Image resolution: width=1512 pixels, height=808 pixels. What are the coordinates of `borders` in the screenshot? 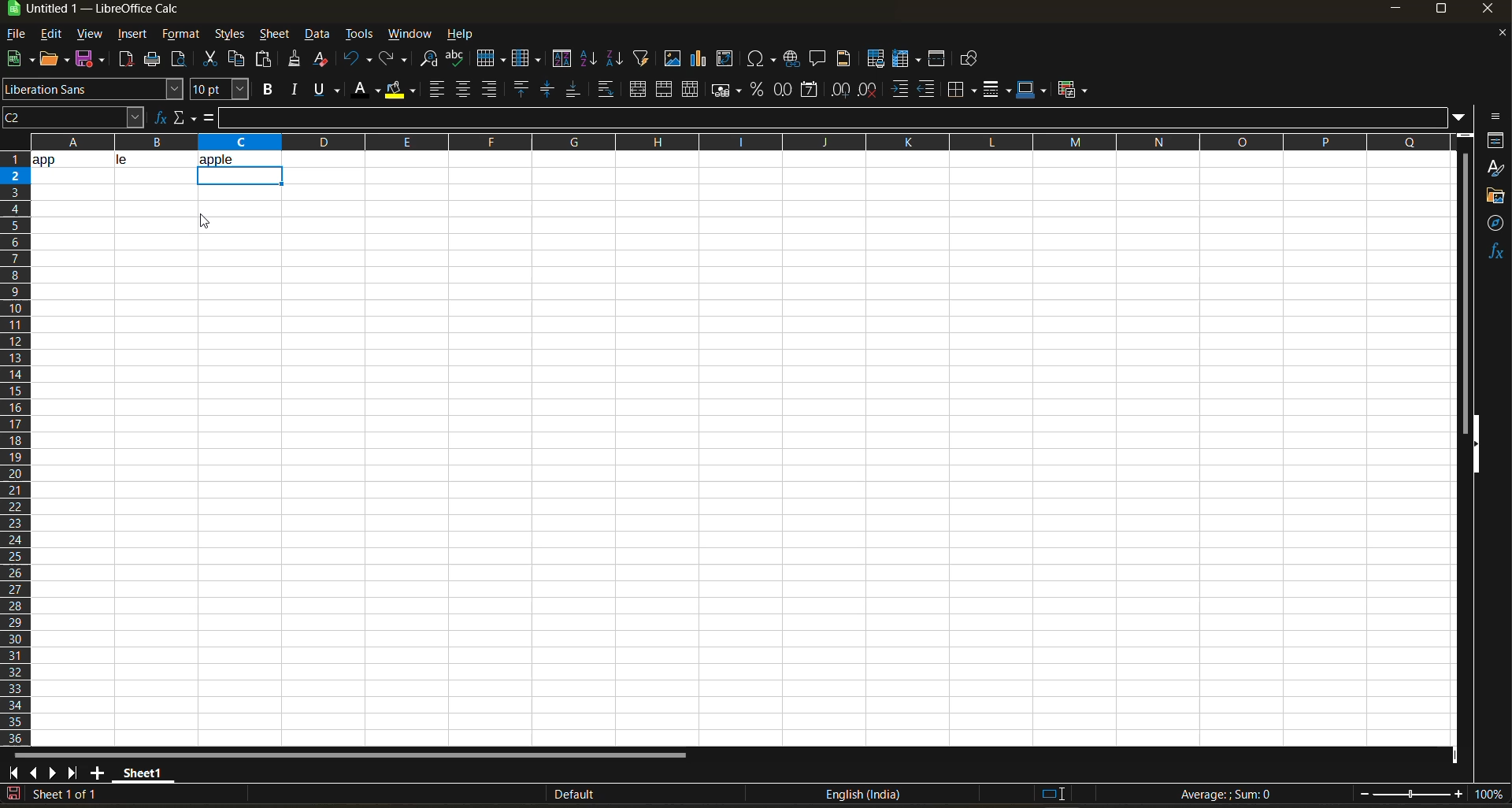 It's located at (962, 90).